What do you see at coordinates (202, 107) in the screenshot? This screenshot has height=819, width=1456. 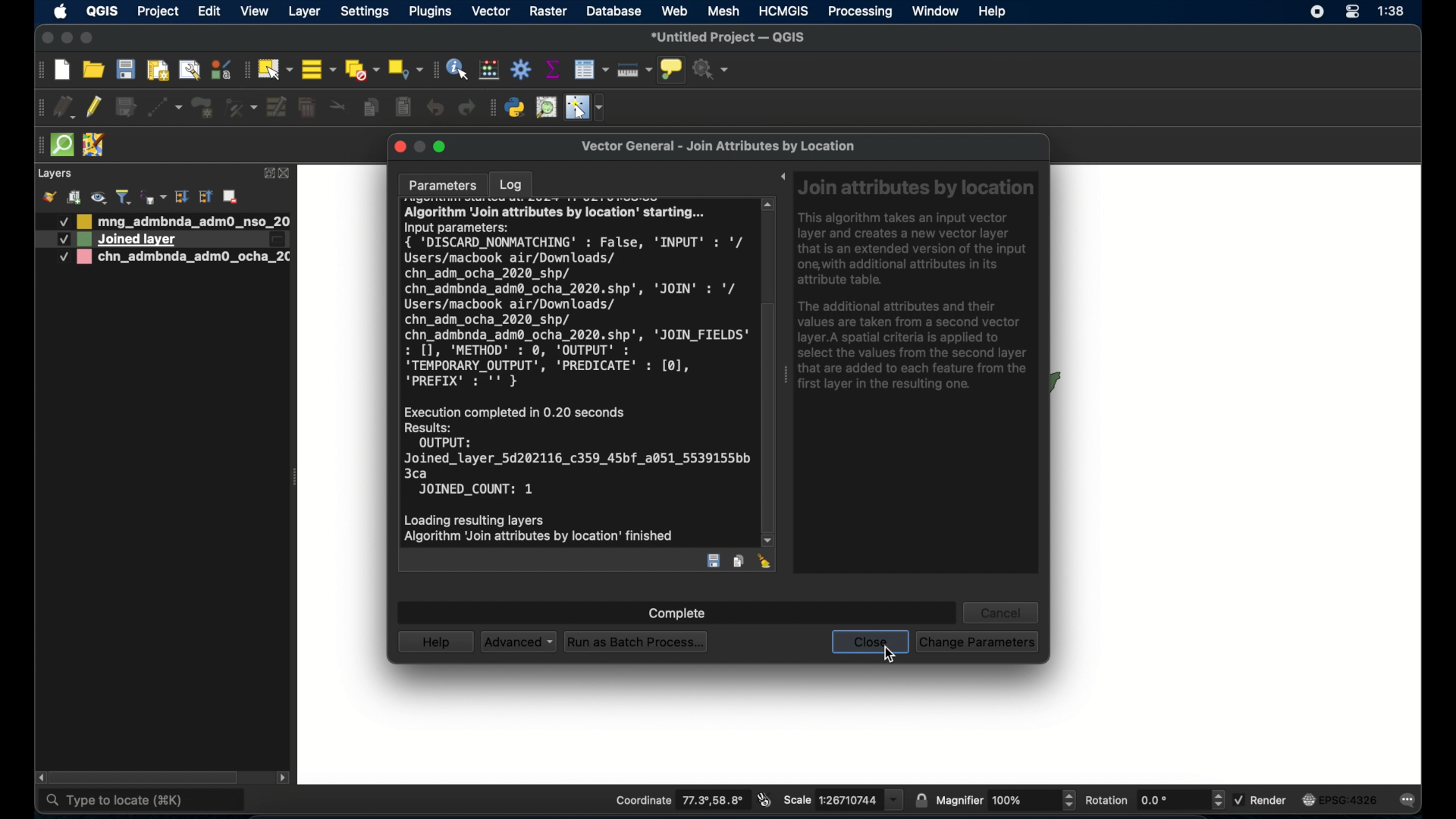 I see `add polygon feature` at bounding box center [202, 107].